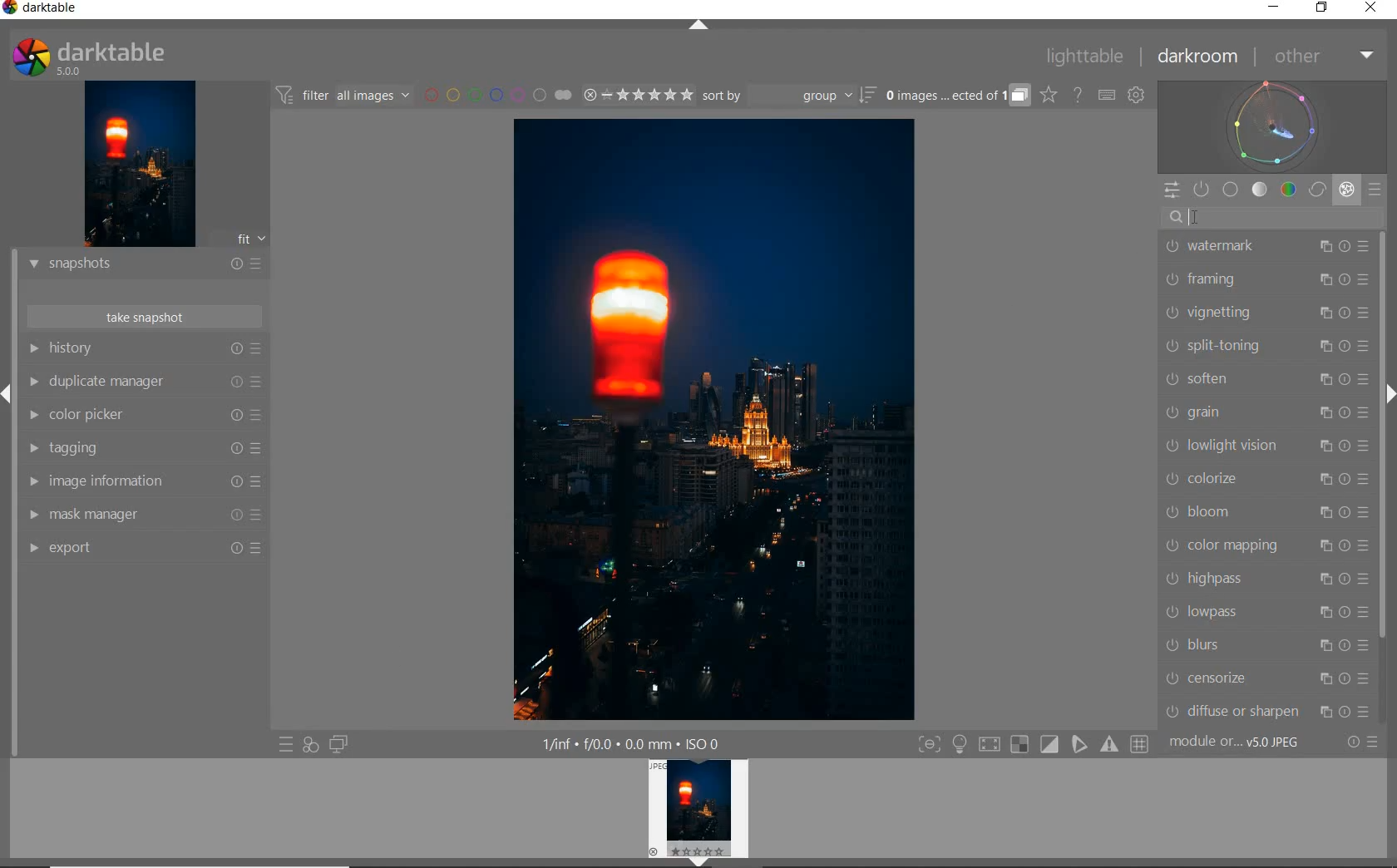 This screenshot has width=1397, height=868. Describe the element at coordinates (1375, 712) in the screenshot. I see `Preset and reset` at that location.